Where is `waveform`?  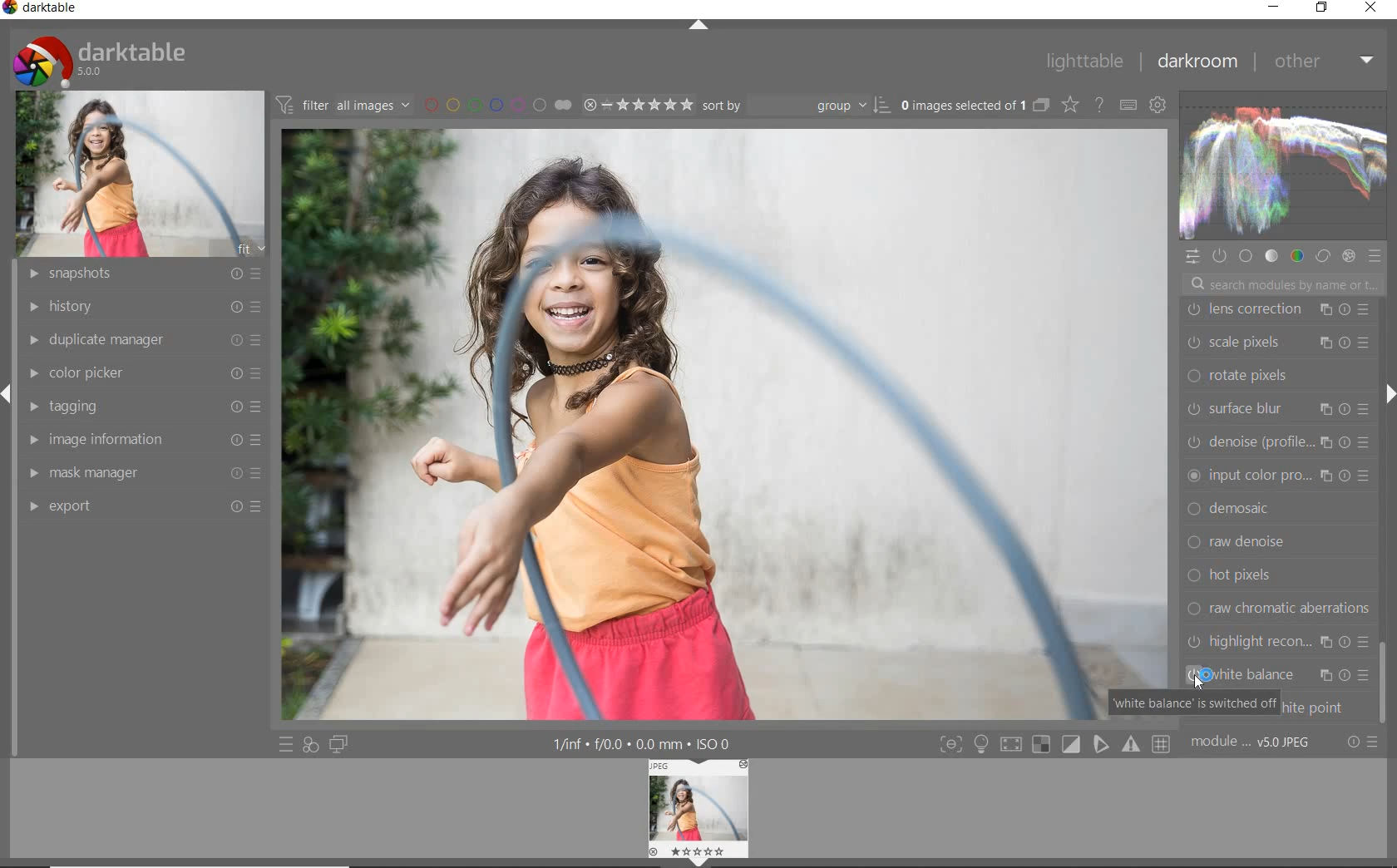
waveform is located at coordinates (1281, 165).